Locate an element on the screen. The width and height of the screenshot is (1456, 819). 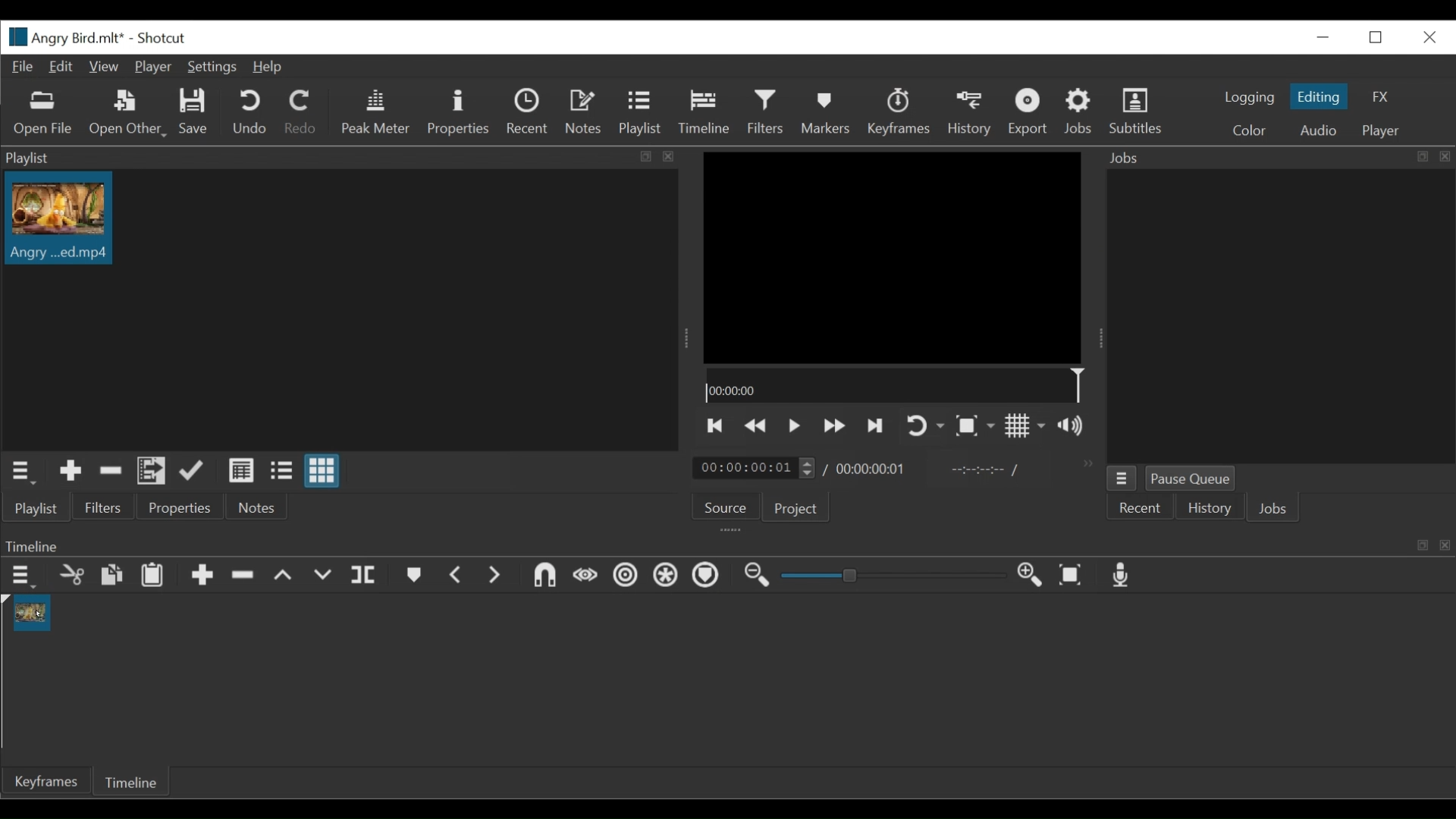
Skip to the previous point is located at coordinates (716, 425).